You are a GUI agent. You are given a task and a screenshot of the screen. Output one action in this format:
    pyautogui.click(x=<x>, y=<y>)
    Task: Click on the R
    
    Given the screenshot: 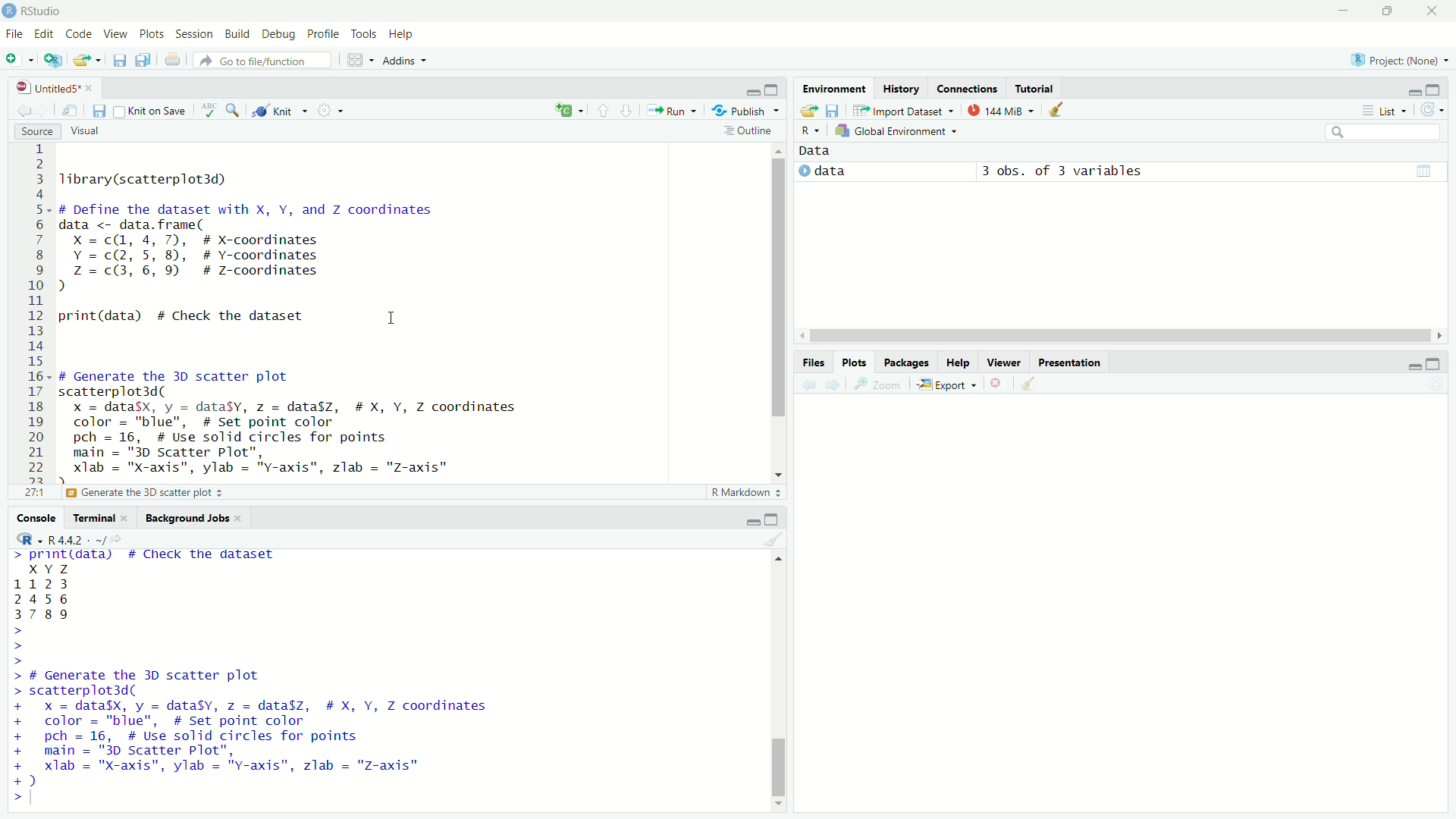 What is the action you would take?
    pyautogui.click(x=27, y=538)
    